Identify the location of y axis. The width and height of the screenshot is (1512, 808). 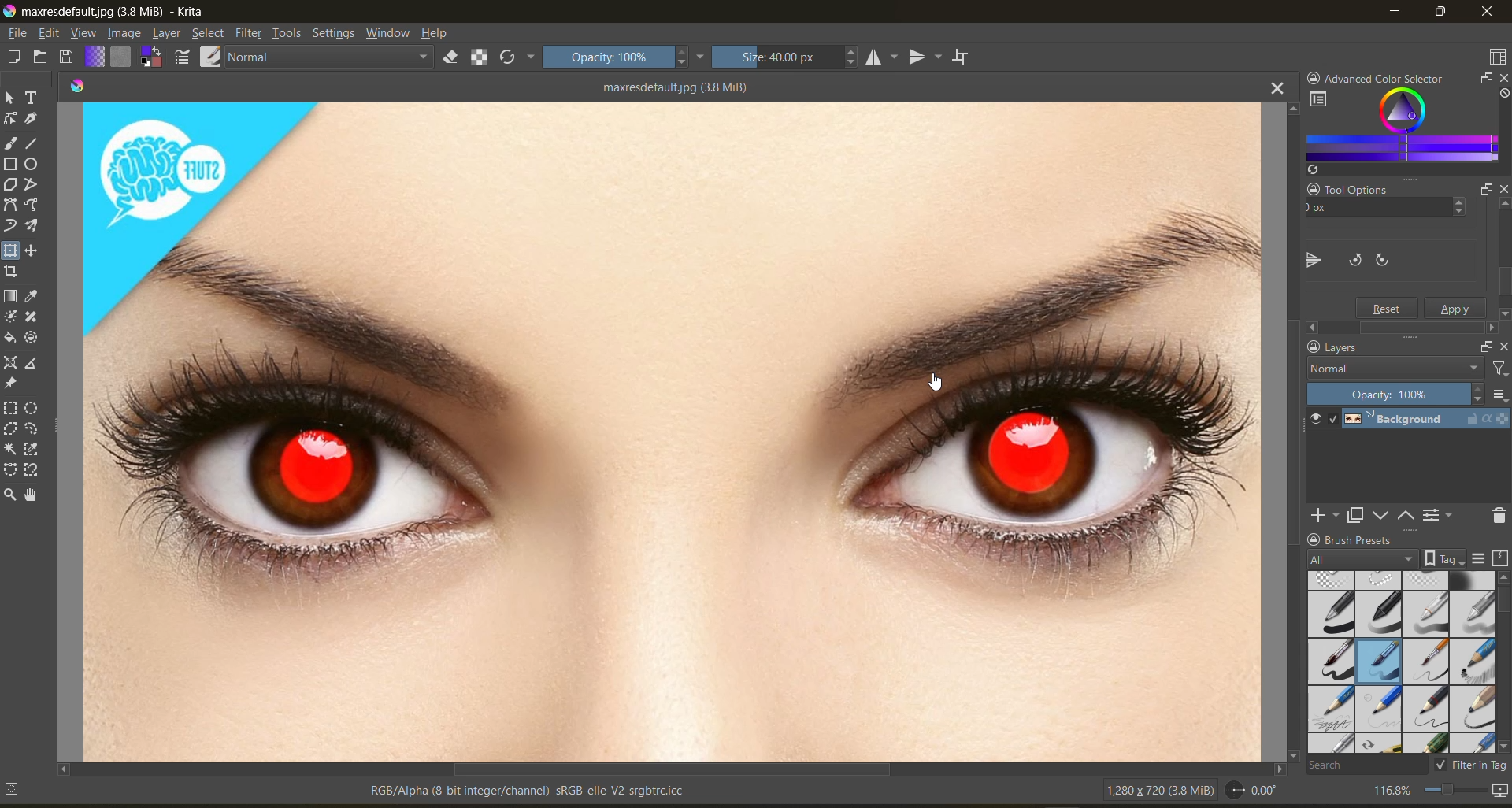
(1409, 209).